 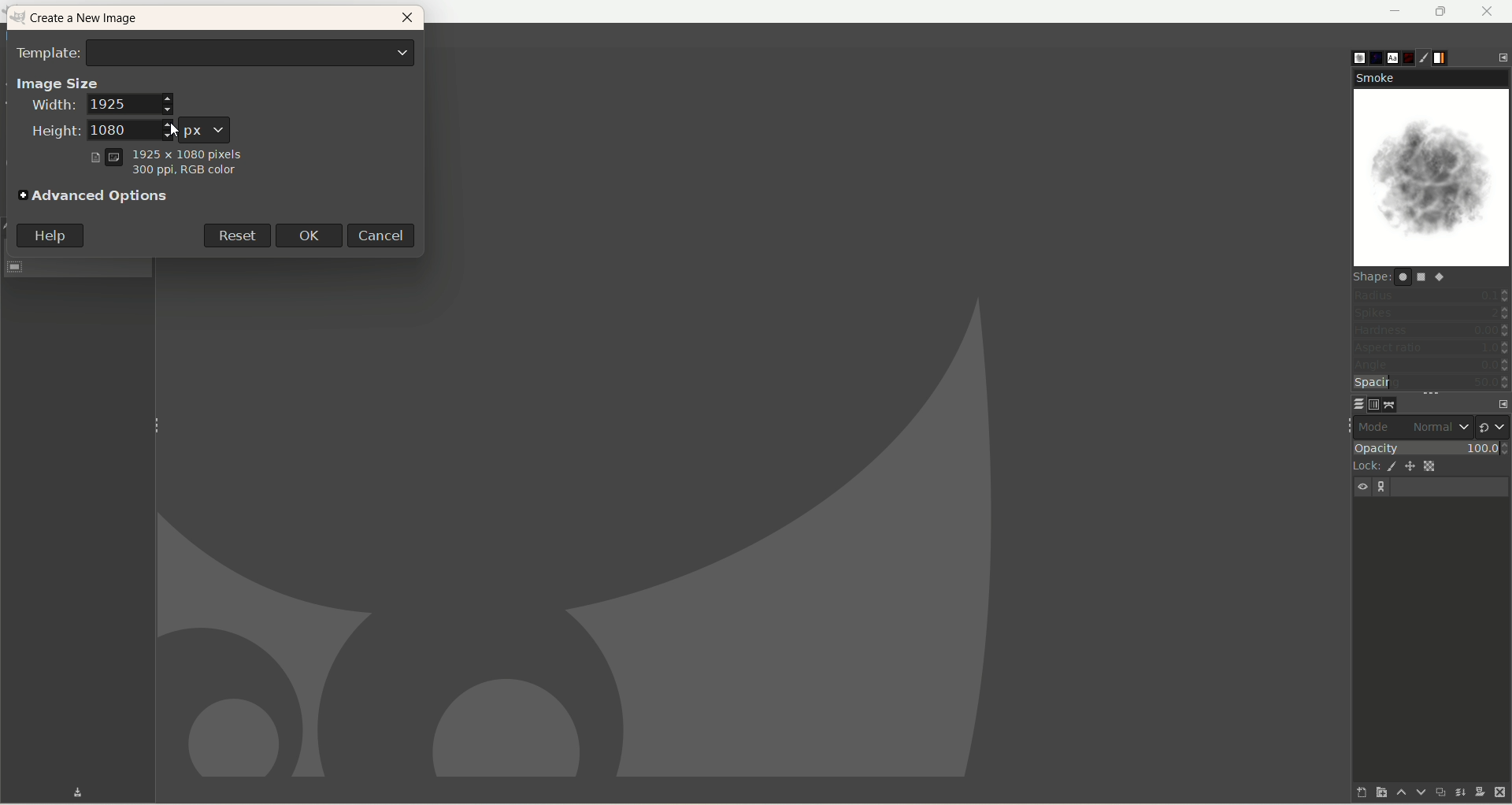 What do you see at coordinates (1432, 348) in the screenshot?
I see `aspect ratio` at bounding box center [1432, 348].